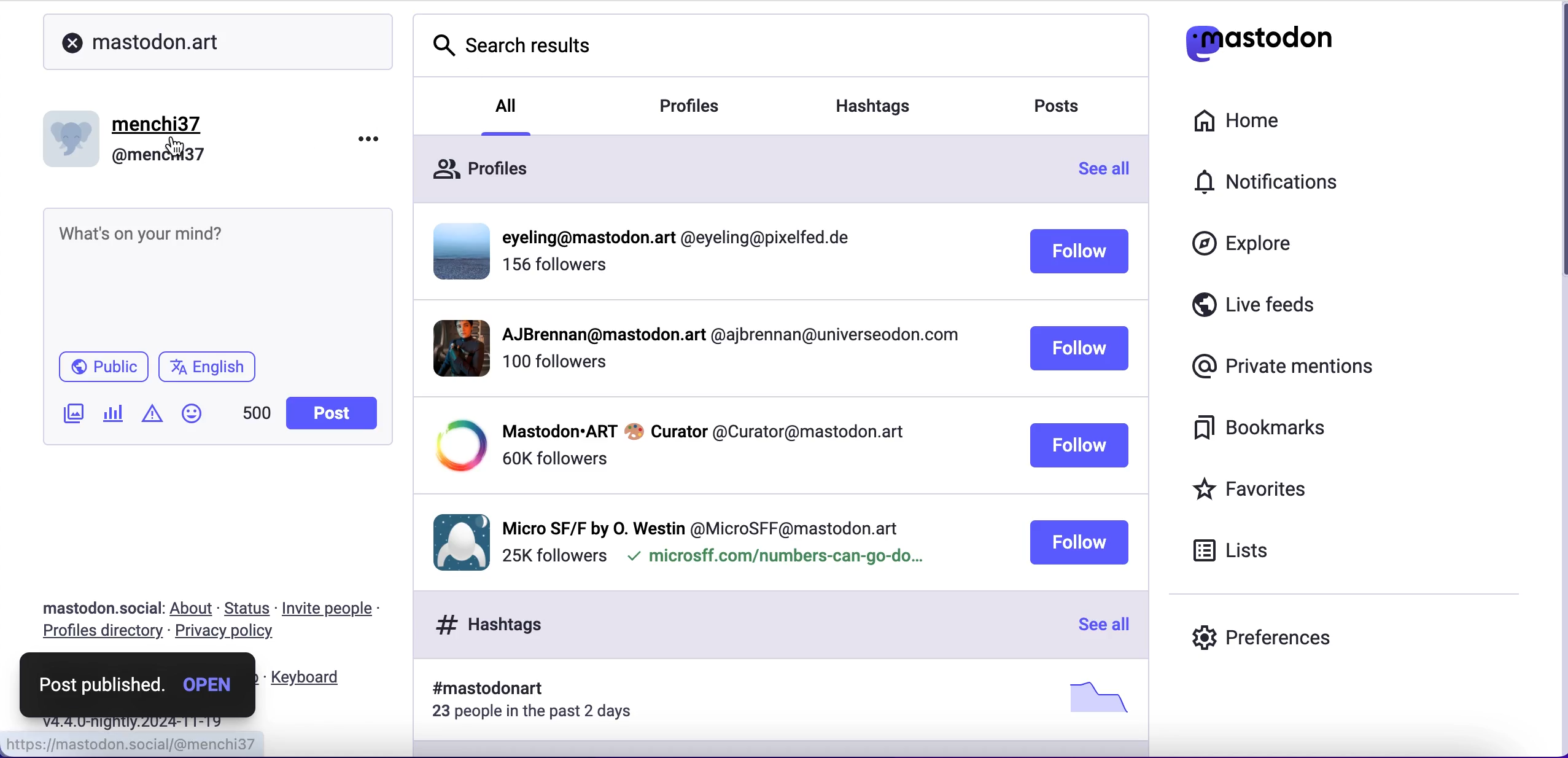 This screenshot has width=1568, height=758. I want to click on add warnings, so click(152, 418).